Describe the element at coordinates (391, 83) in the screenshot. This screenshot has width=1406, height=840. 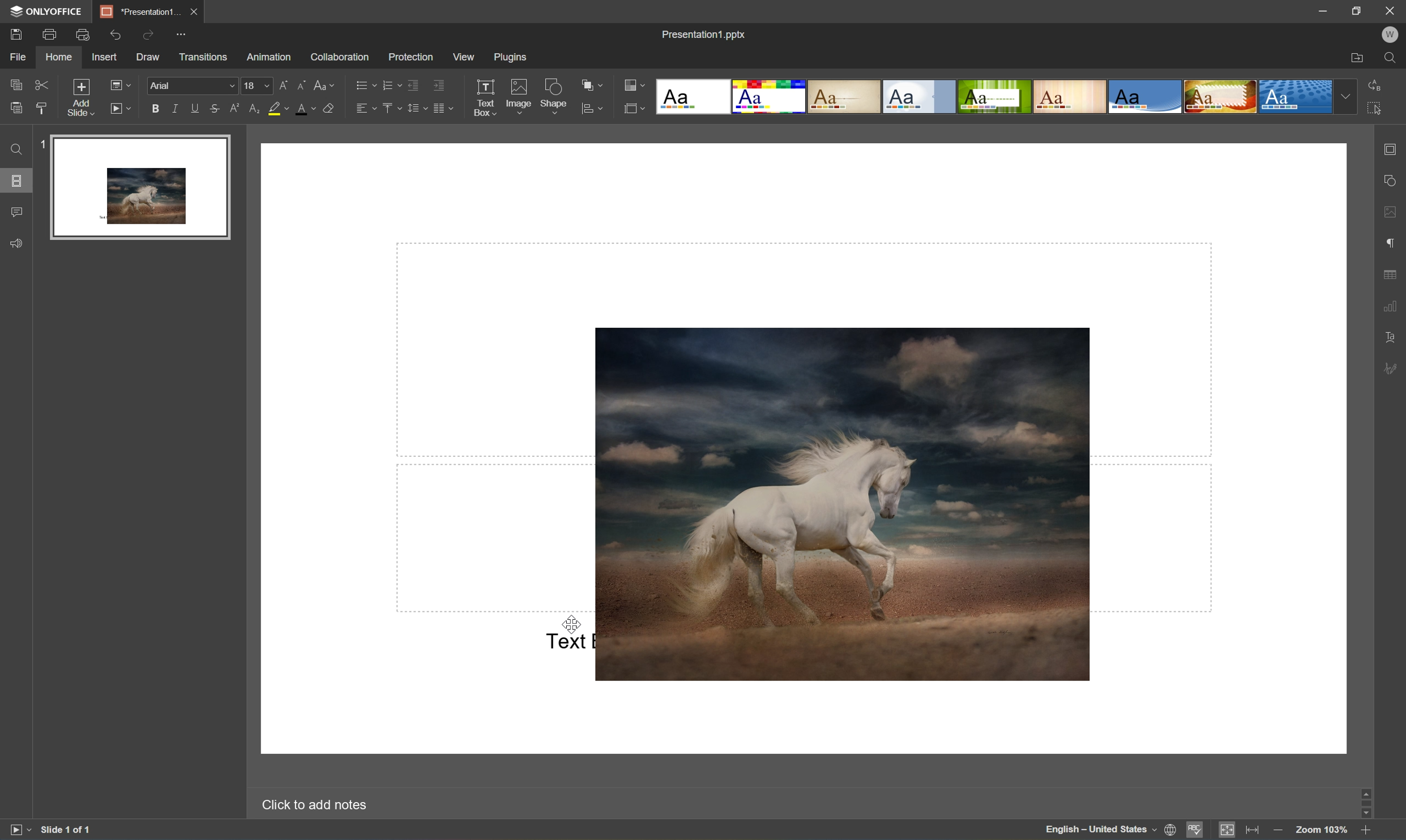
I see `Numbering` at that location.